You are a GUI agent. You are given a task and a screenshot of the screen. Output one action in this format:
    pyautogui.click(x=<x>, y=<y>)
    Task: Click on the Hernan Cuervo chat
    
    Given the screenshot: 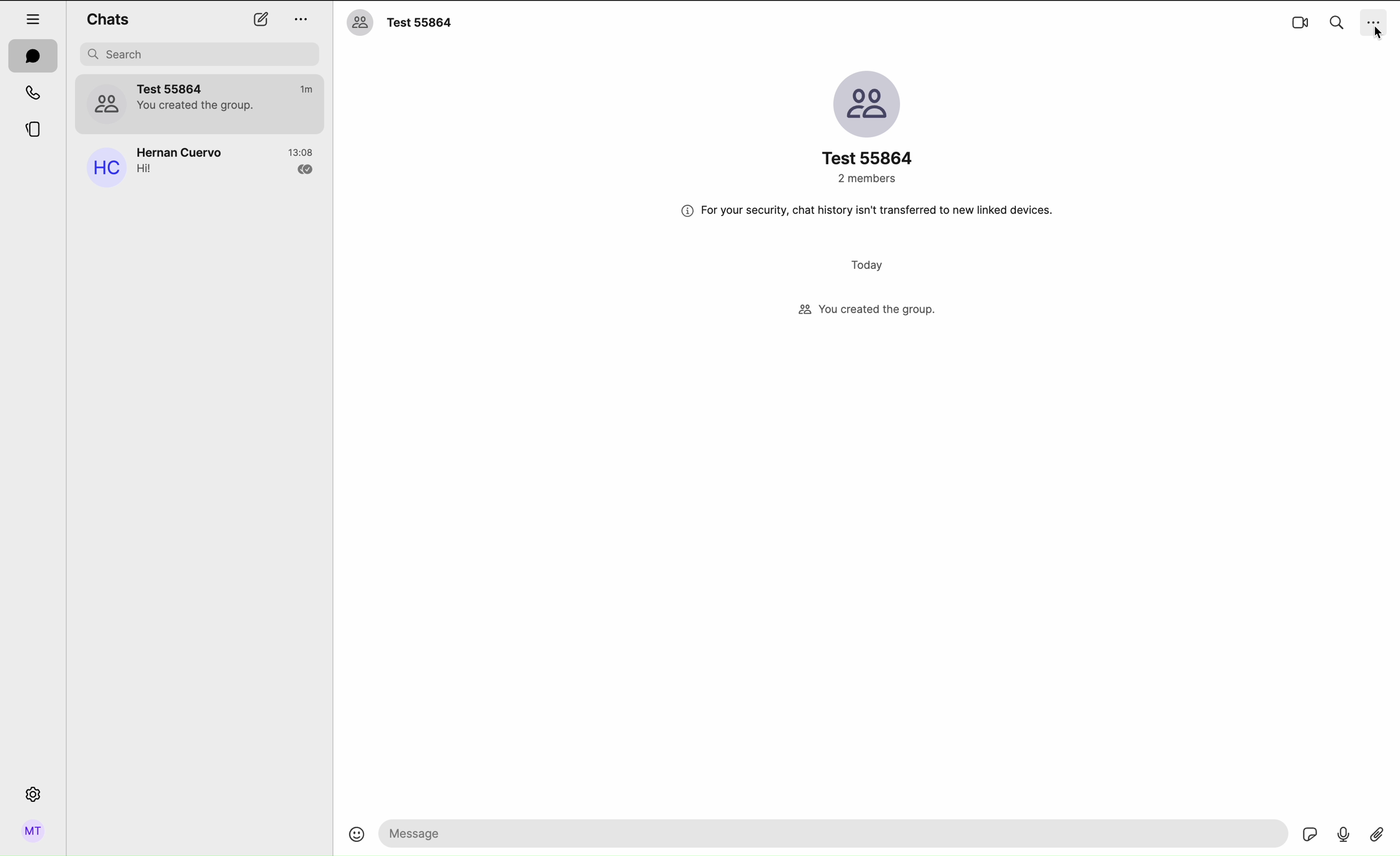 What is the action you would take?
    pyautogui.click(x=198, y=165)
    